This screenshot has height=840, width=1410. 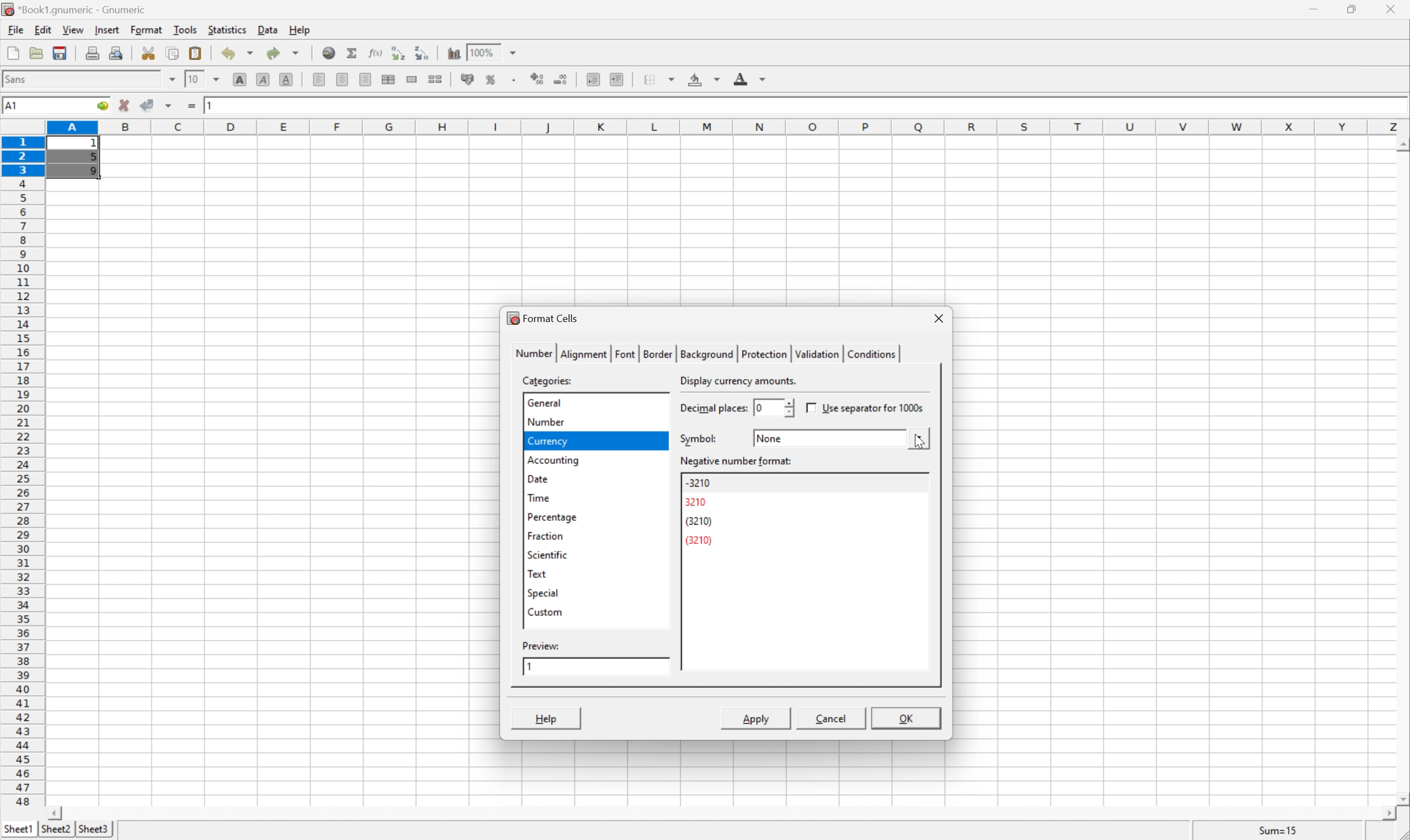 I want to click on -3210, so click(x=700, y=483).